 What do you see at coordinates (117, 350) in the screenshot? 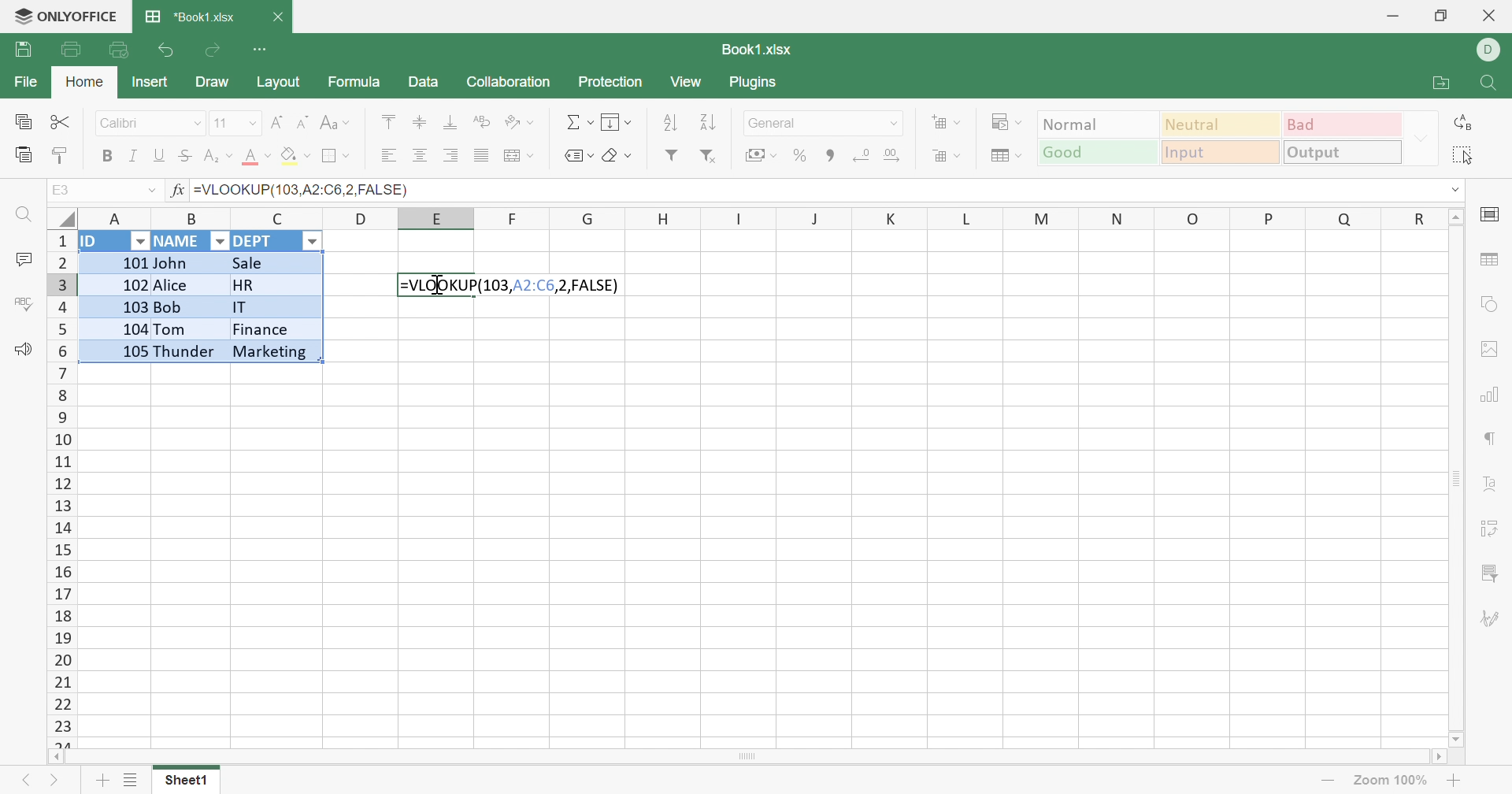
I see `105` at bounding box center [117, 350].